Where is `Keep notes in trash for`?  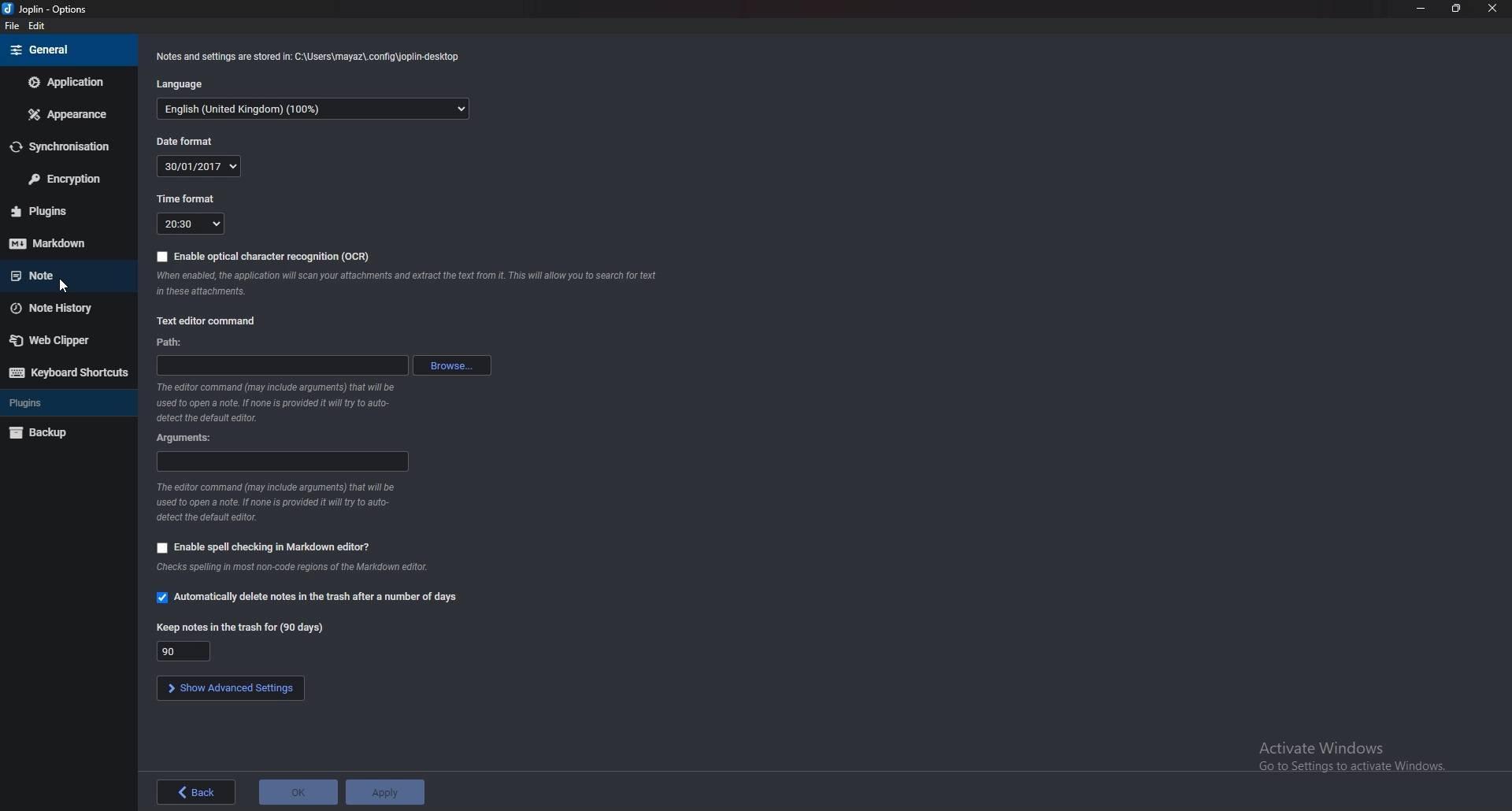 Keep notes in trash for is located at coordinates (188, 650).